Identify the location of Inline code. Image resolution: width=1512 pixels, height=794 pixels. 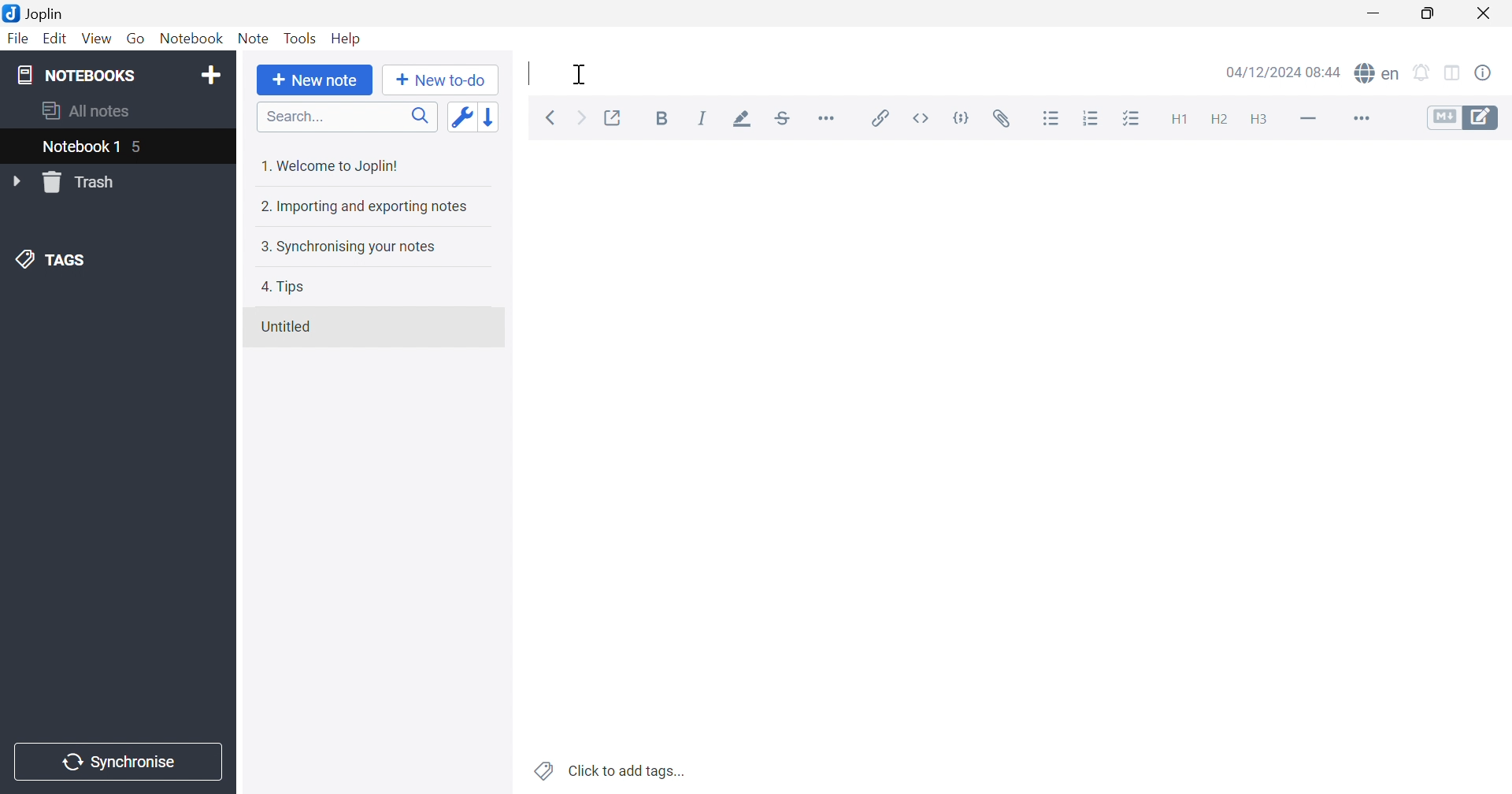
(922, 118).